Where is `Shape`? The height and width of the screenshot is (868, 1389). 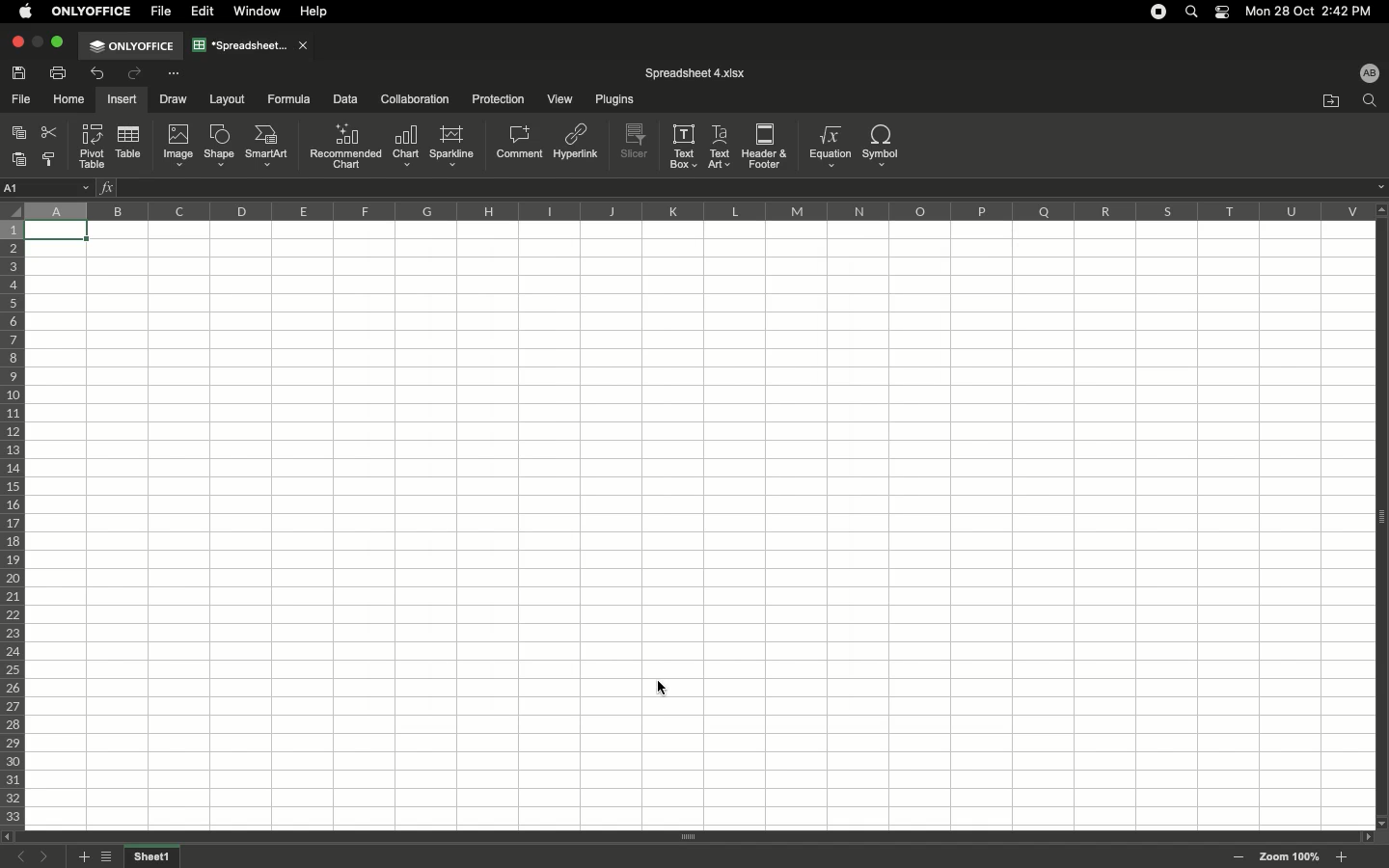 Shape is located at coordinates (219, 147).